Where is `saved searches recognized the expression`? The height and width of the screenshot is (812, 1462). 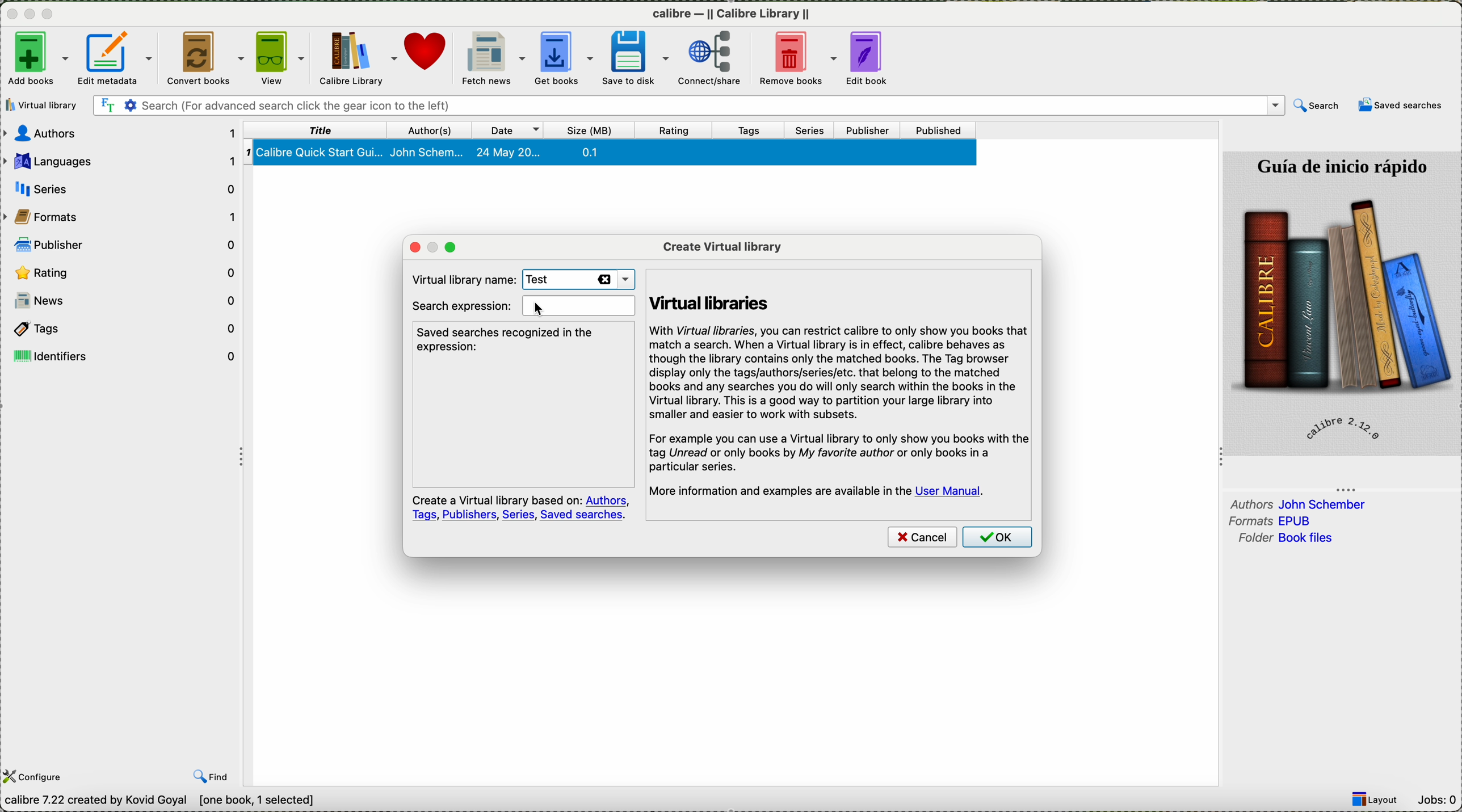 saved searches recognized the expression is located at coordinates (509, 339).